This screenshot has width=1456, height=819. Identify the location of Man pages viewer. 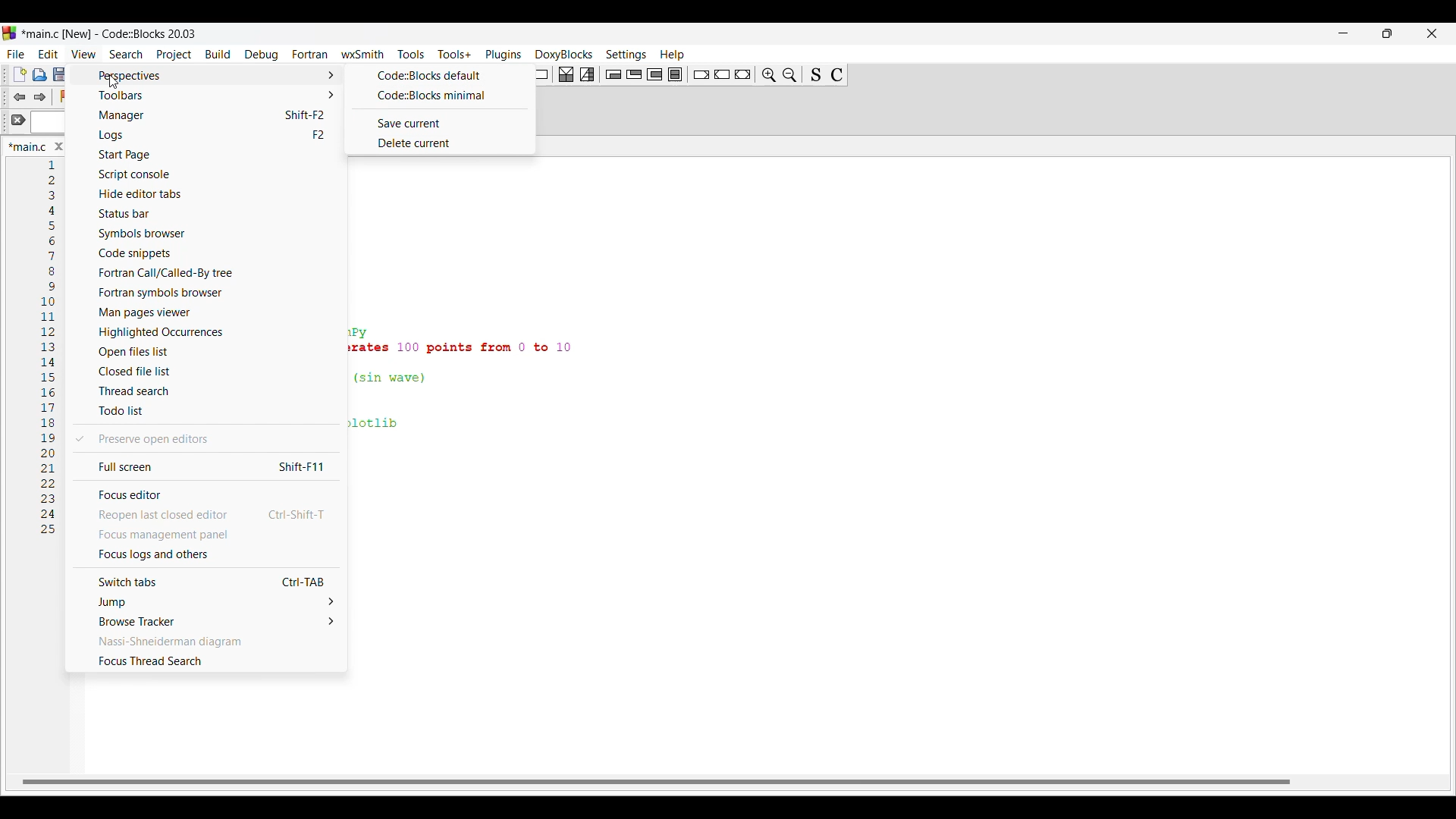
(209, 312).